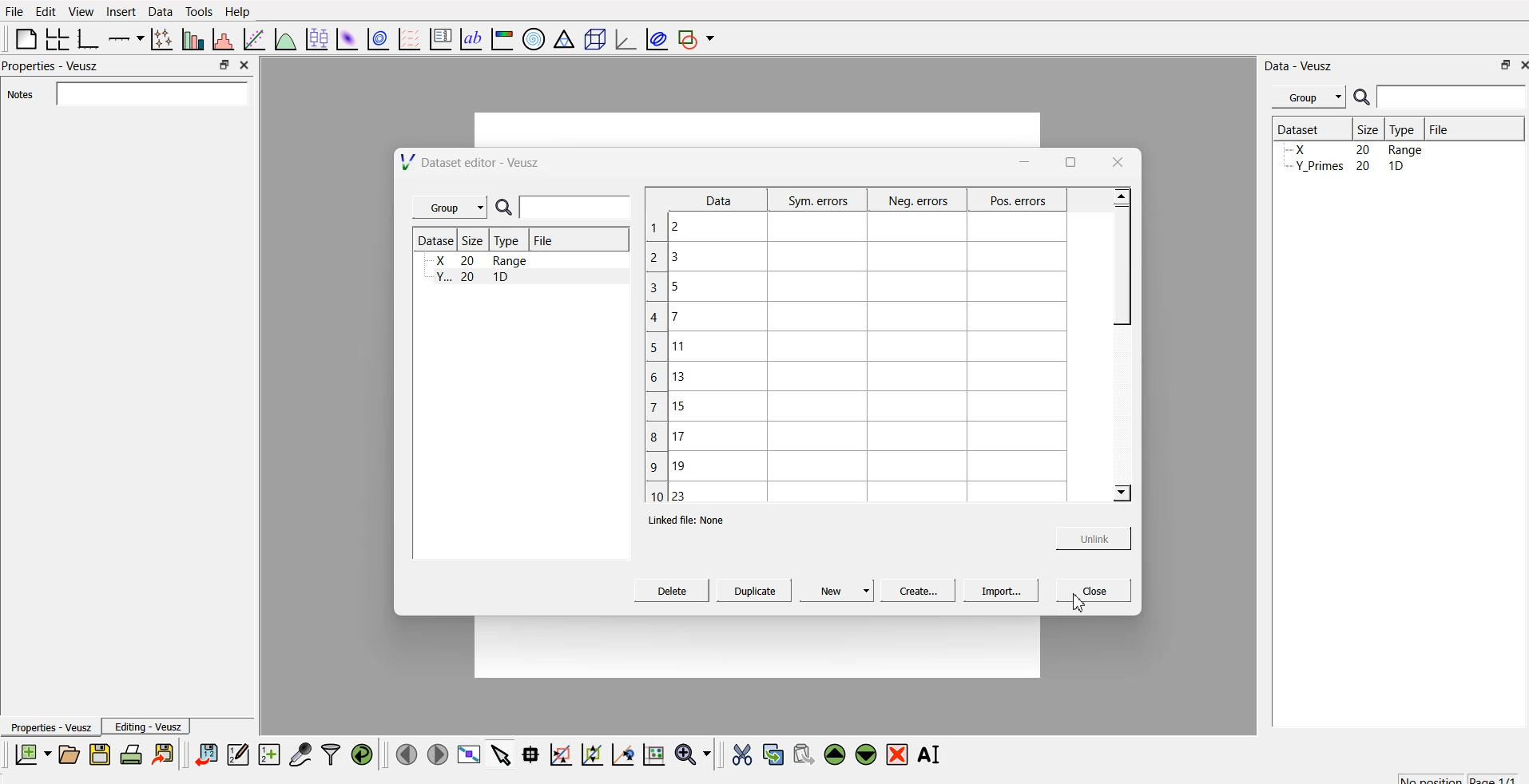 The image size is (1529, 784). What do you see at coordinates (772, 754) in the screenshot?
I see `copy the widget` at bounding box center [772, 754].